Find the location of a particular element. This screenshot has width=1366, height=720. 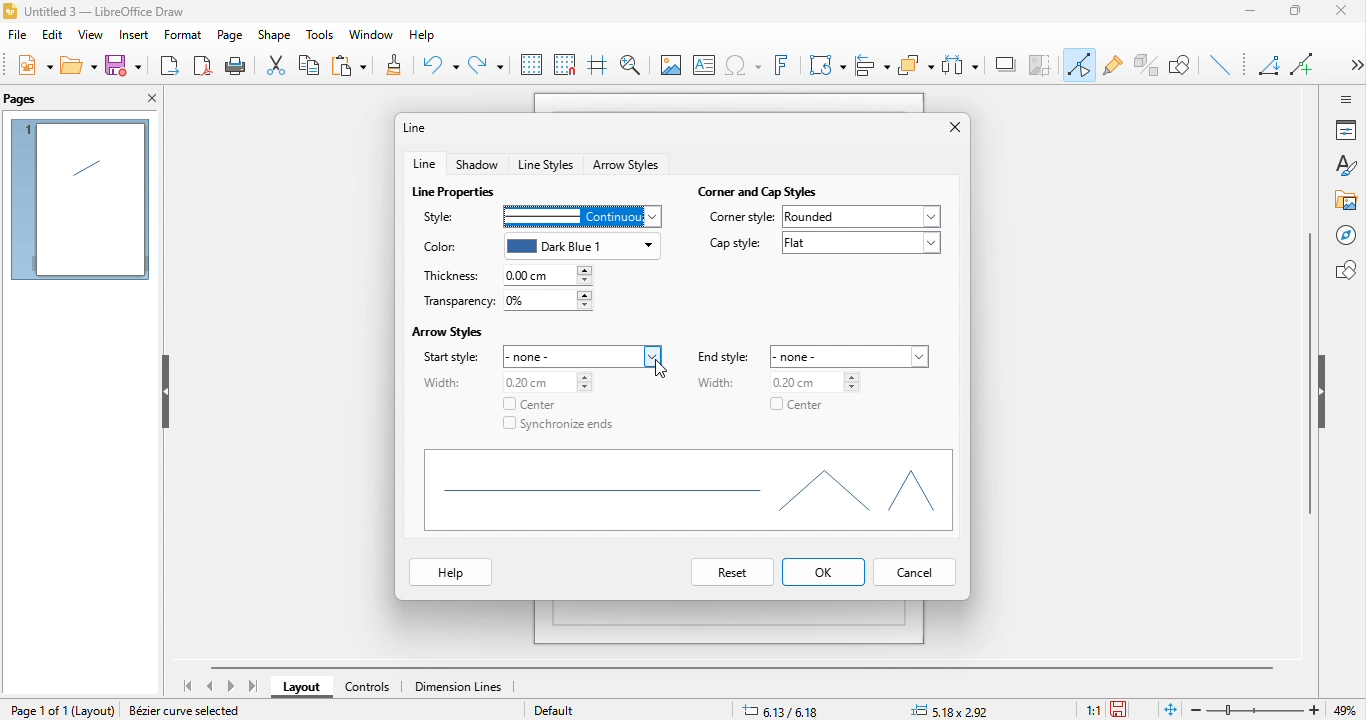

0.00 cm is located at coordinates (550, 275).